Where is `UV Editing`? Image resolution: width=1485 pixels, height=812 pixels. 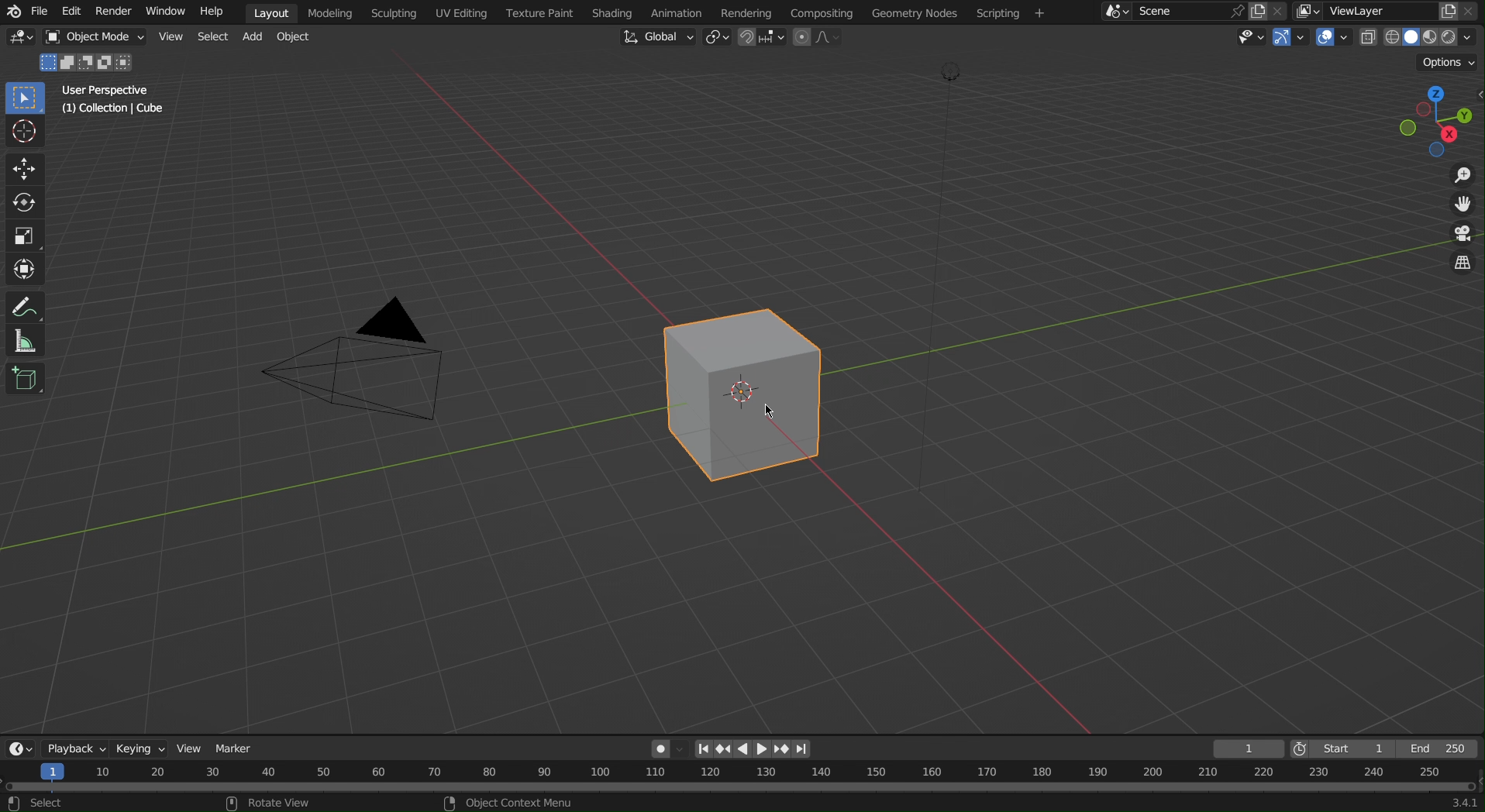
UV Editing is located at coordinates (460, 13).